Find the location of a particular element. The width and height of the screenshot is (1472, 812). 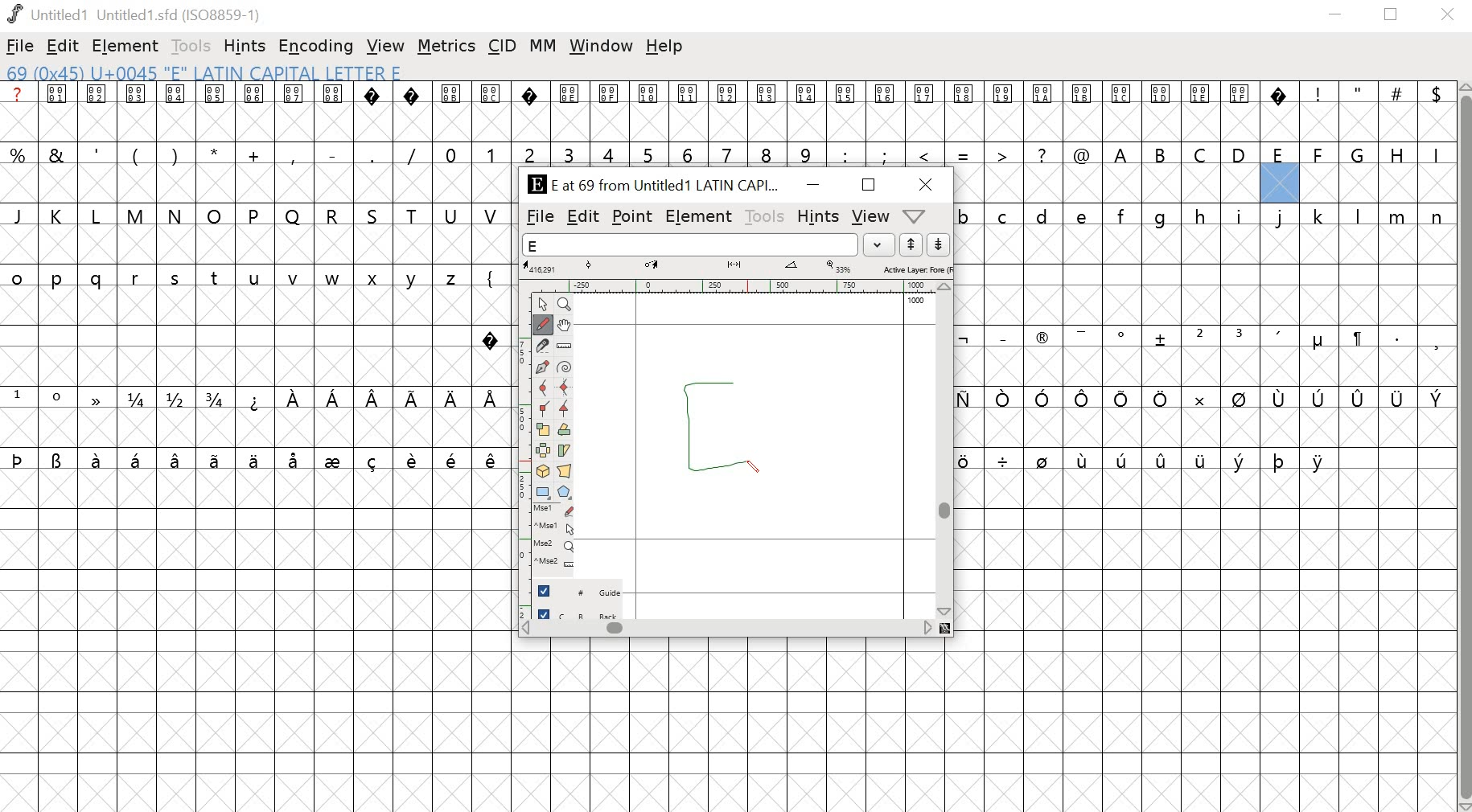

empty cells is located at coordinates (1202, 642).